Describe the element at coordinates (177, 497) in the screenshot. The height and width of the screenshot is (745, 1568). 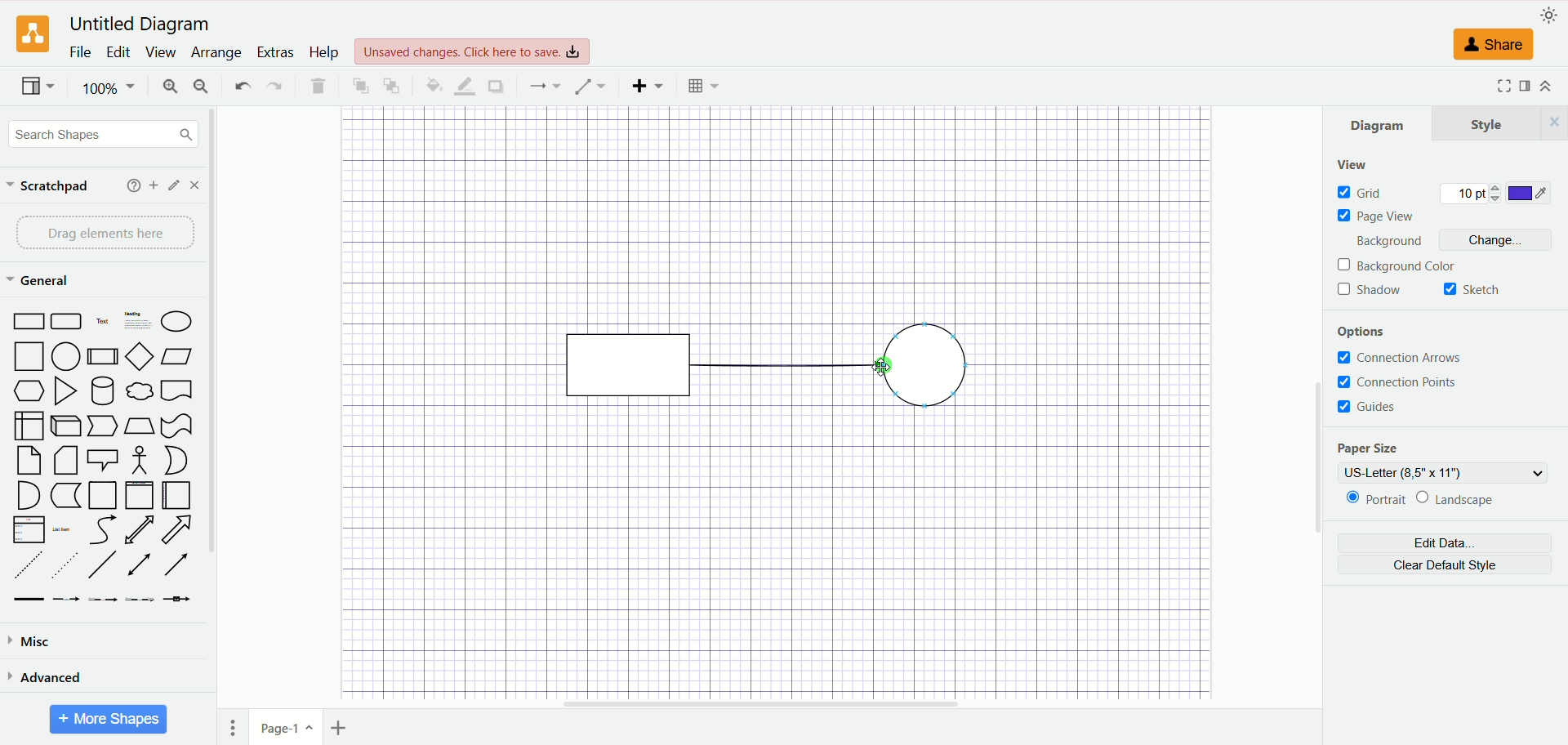
I see `Horizontal Page` at that location.